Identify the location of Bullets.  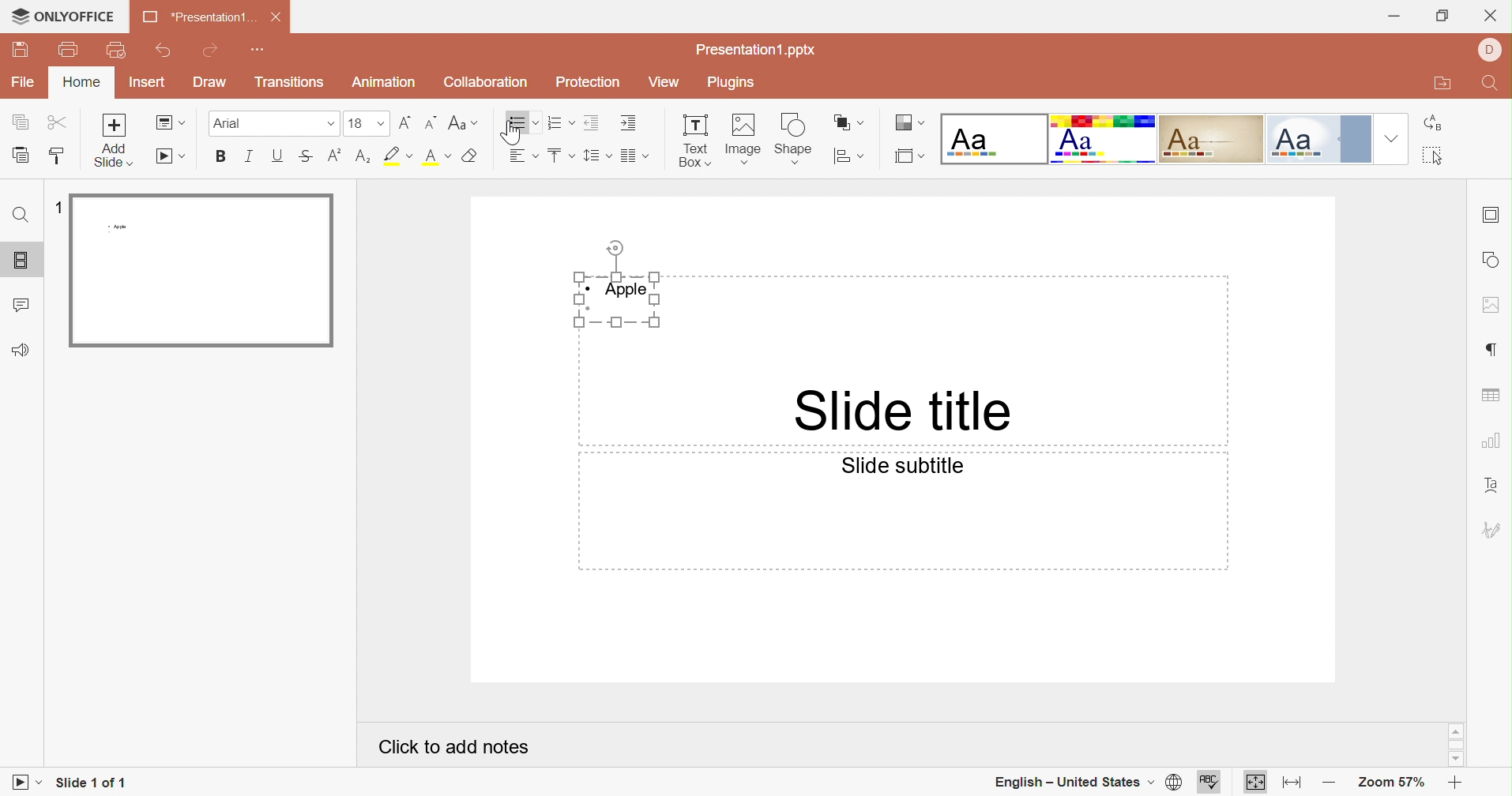
(565, 156).